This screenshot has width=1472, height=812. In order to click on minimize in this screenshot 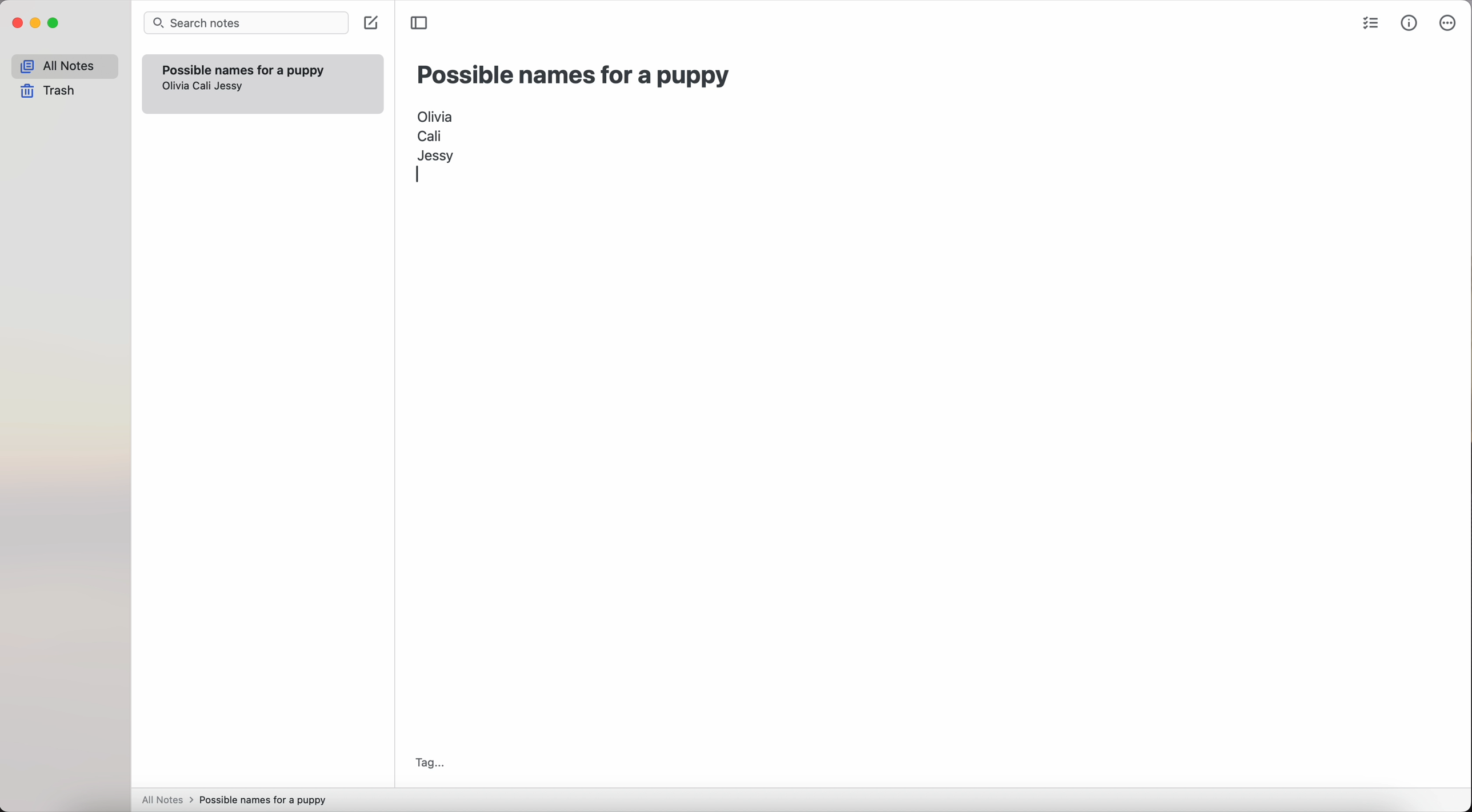, I will do `click(36, 24)`.